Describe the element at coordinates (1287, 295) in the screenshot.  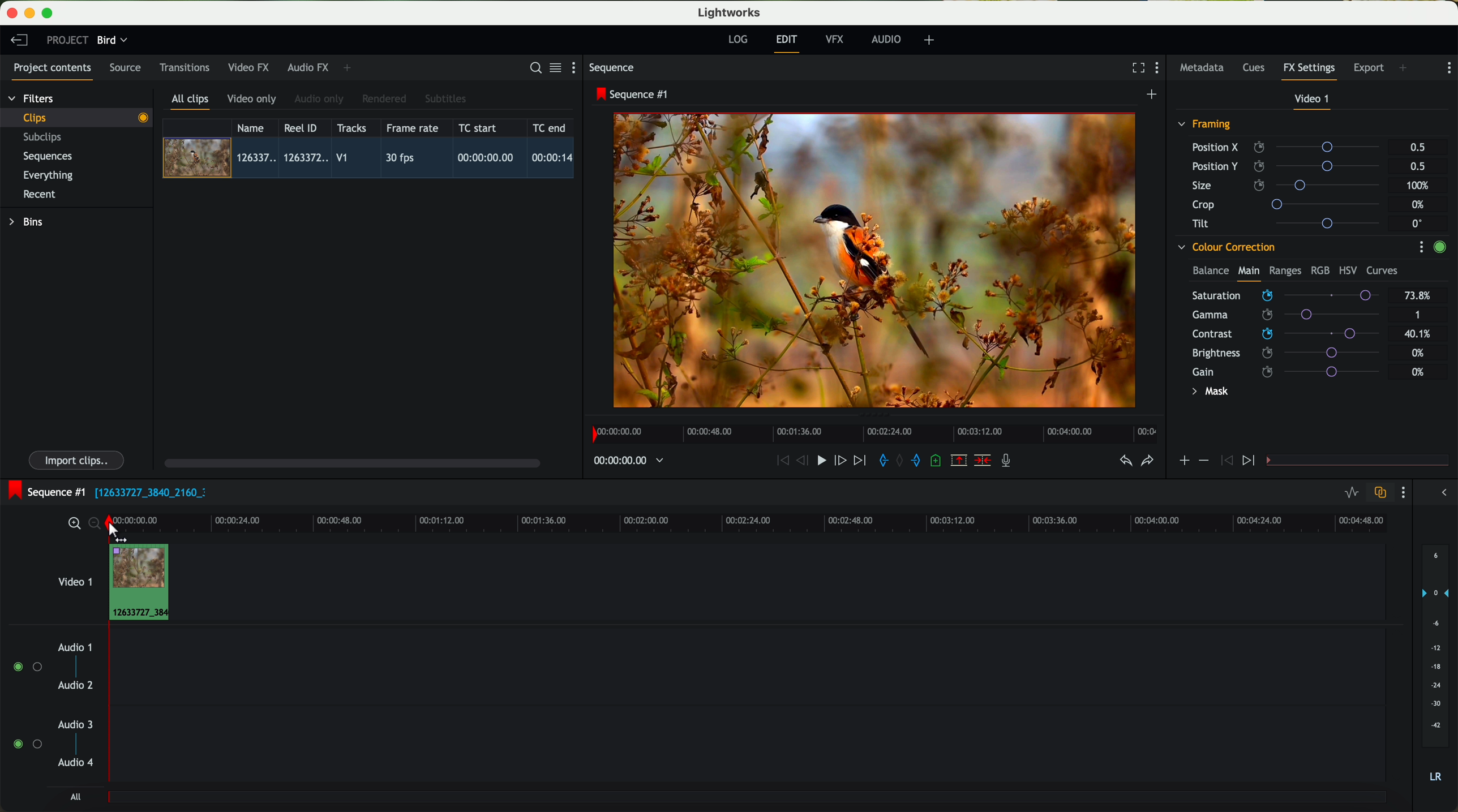
I see `mouse up (saturation)` at that location.